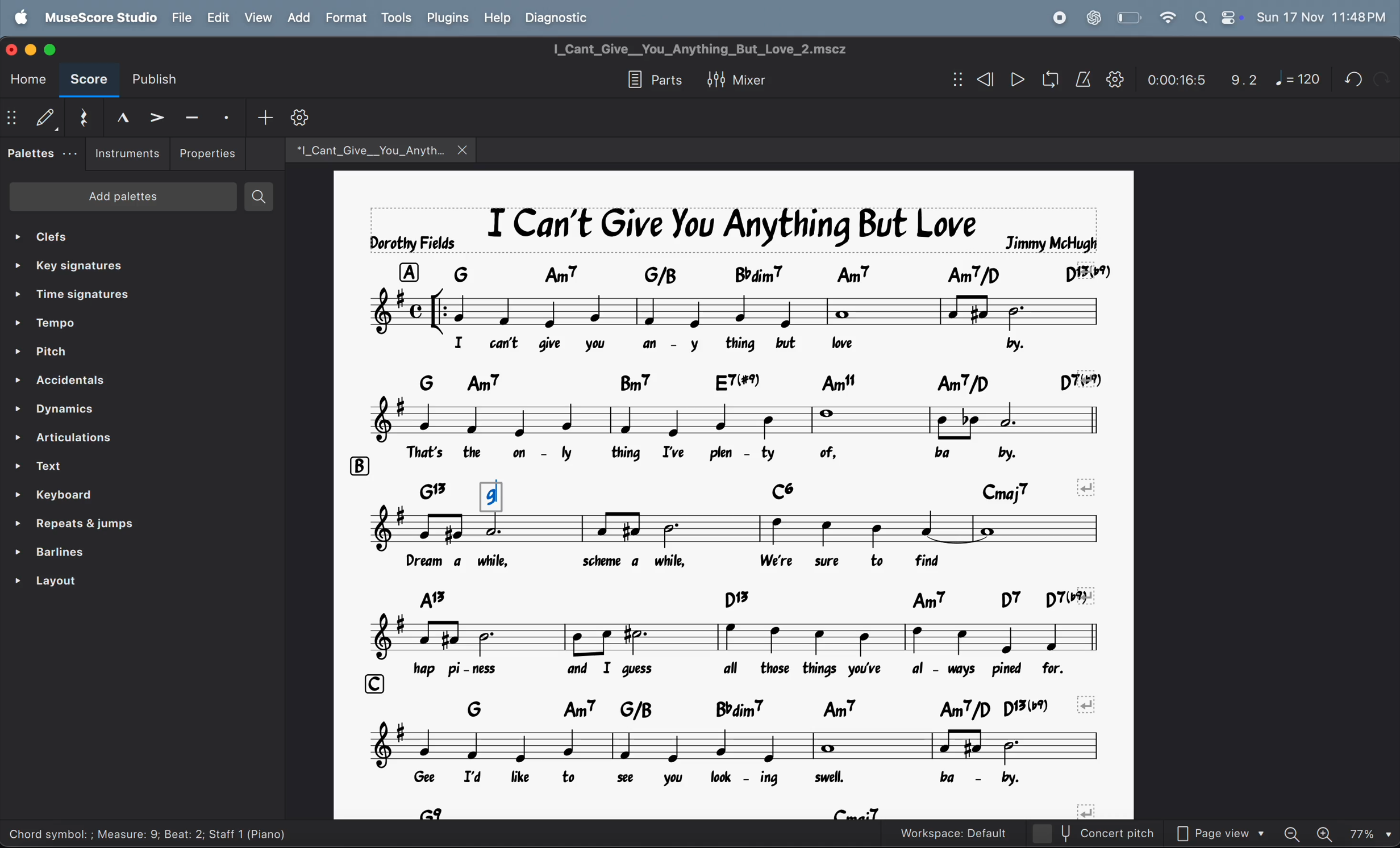 This screenshot has width=1400, height=848. I want to click on date and time, so click(1322, 16).